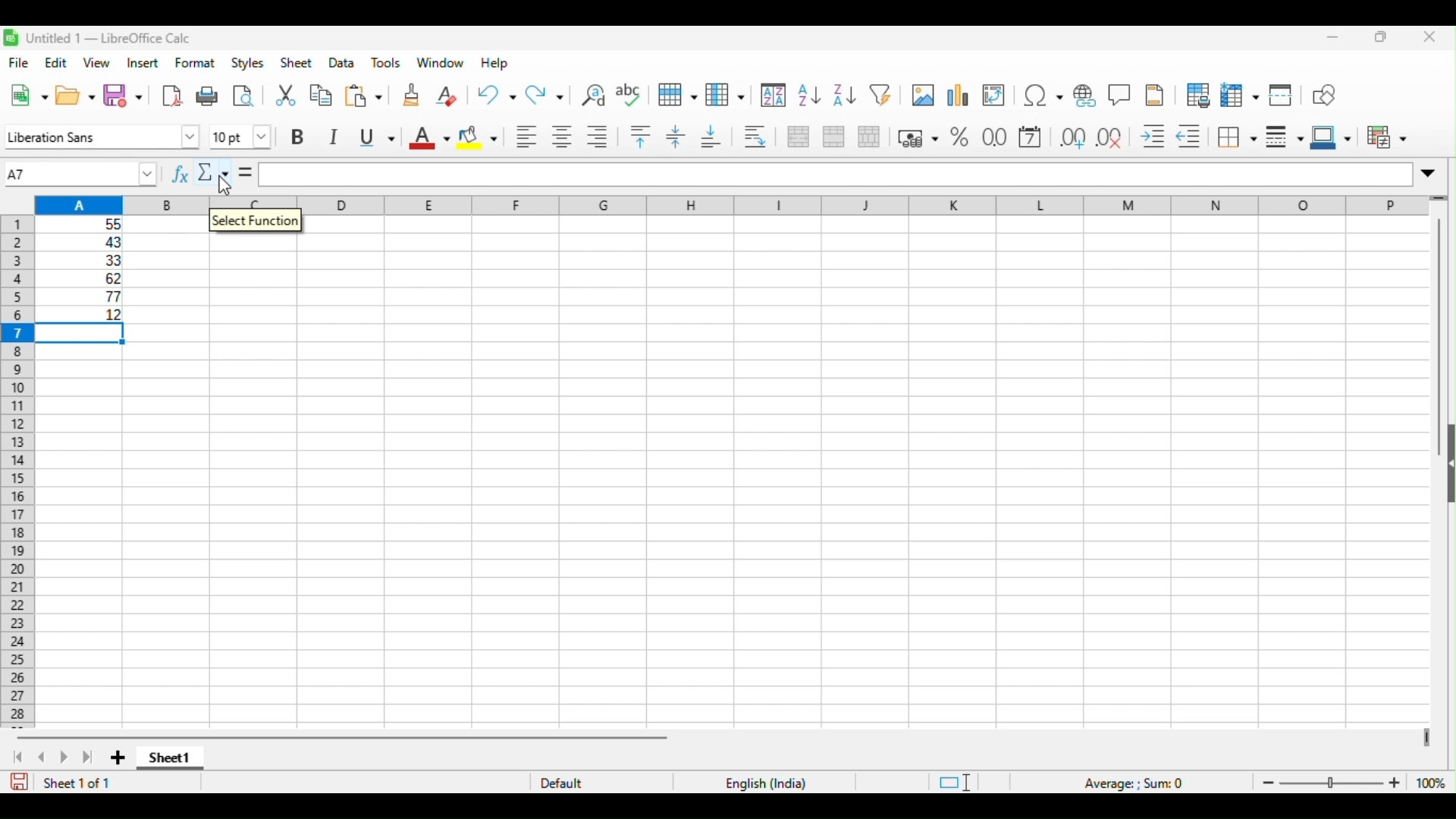 The height and width of the screenshot is (819, 1456). I want to click on merge and center, so click(798, 136).